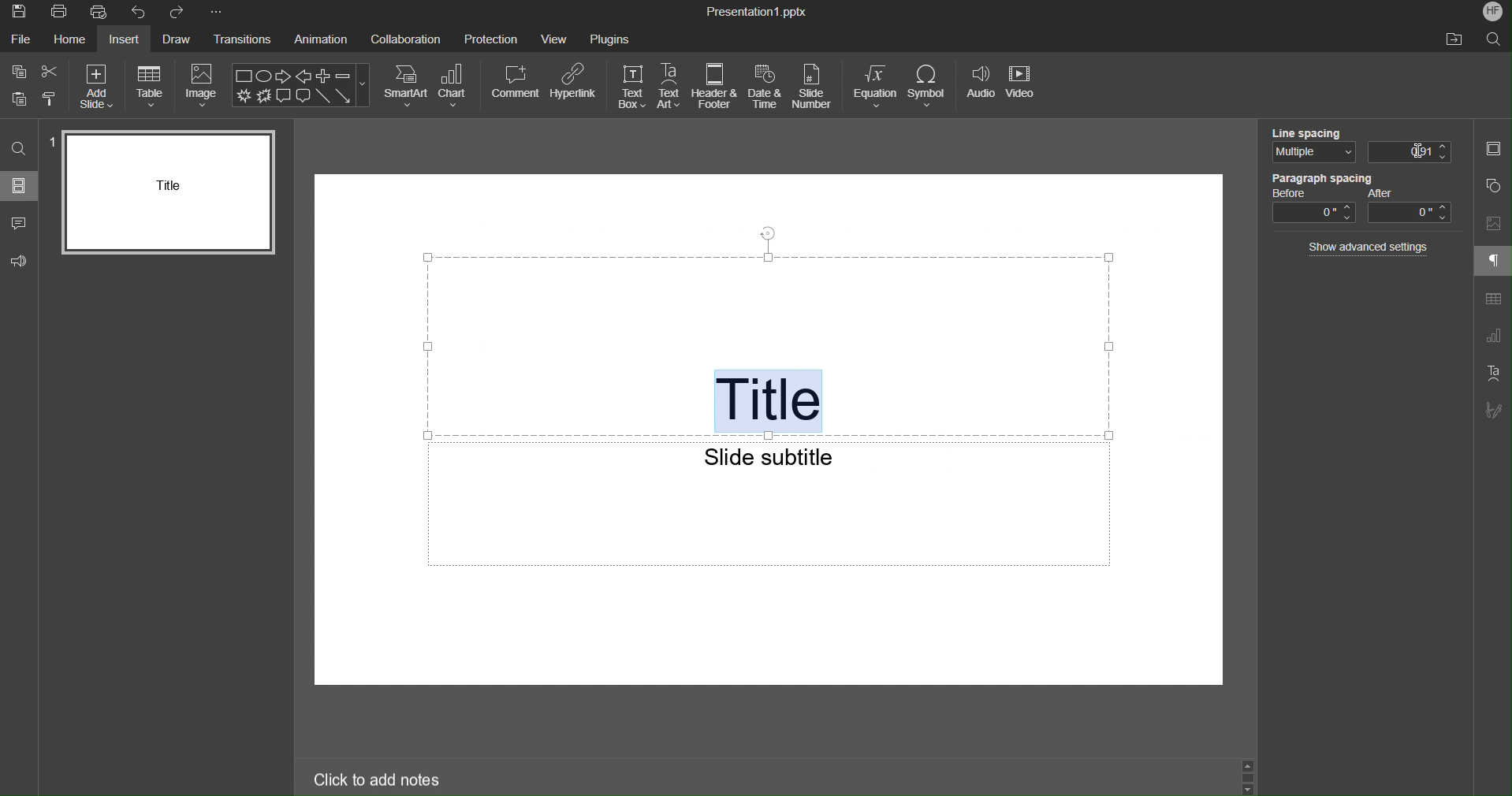  I want to click on Paragraph Settings, so click(1492, 262).